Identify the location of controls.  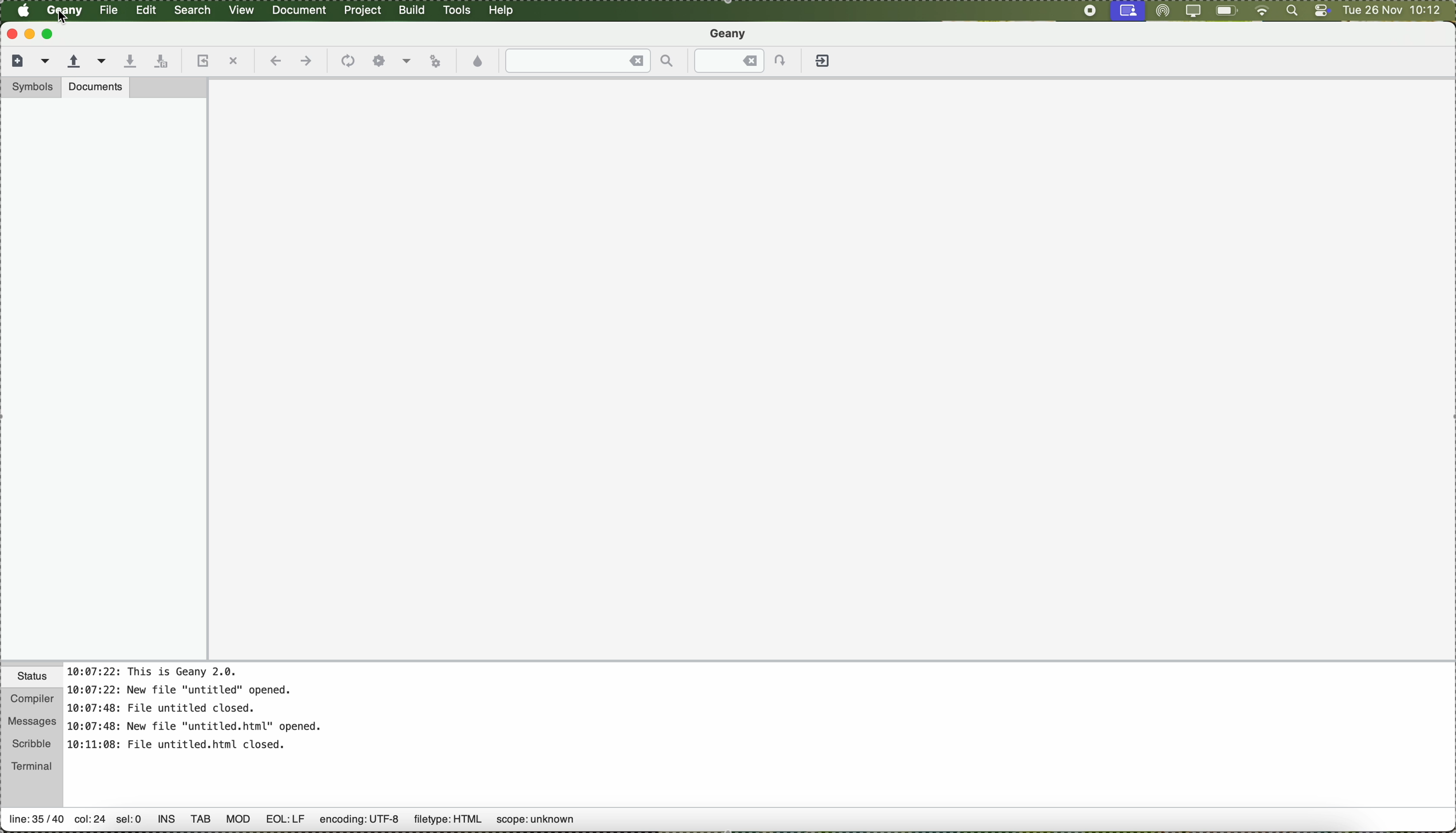
(1318, 11).